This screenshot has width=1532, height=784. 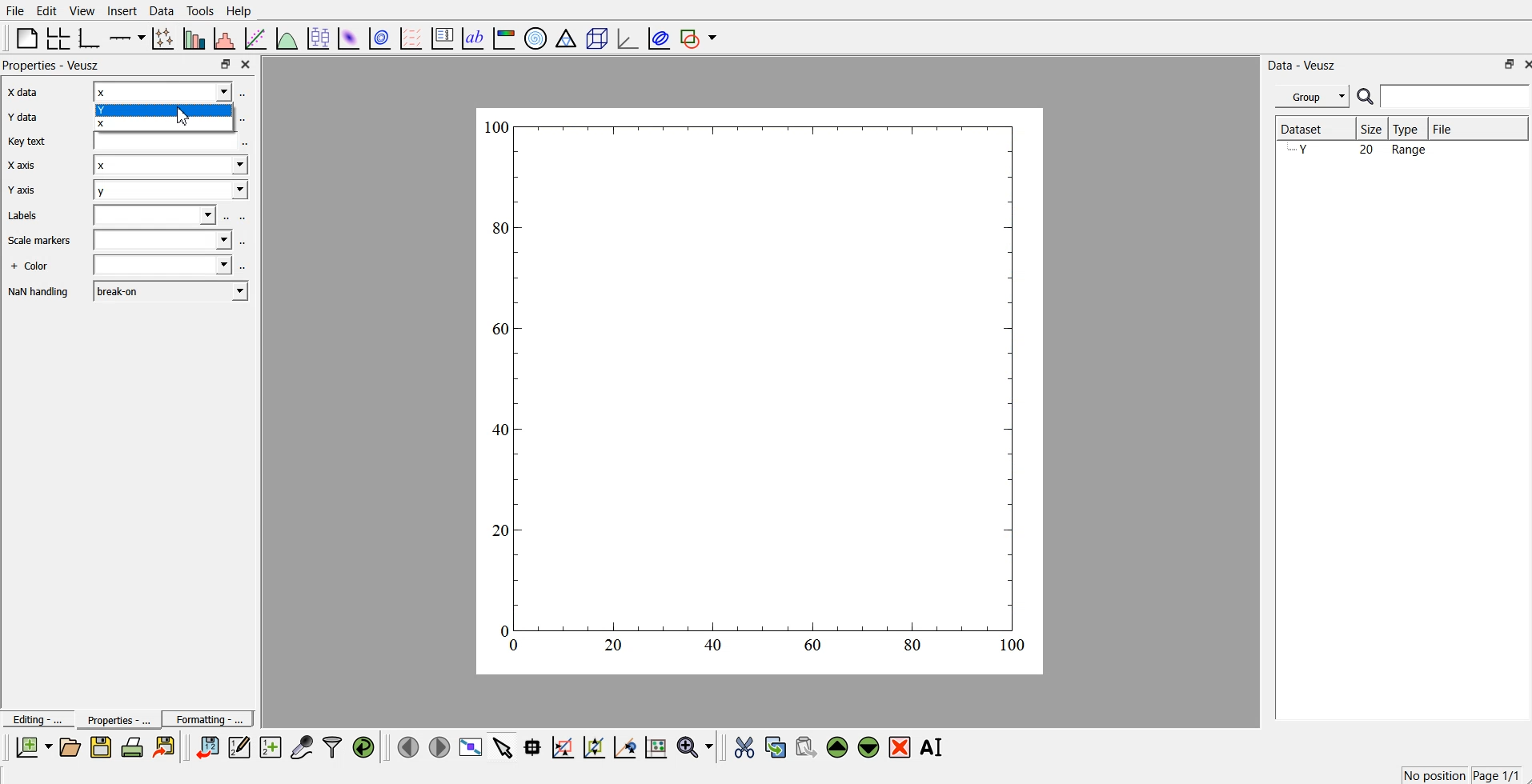 I want to click on move down, so click(x=869, y=746).